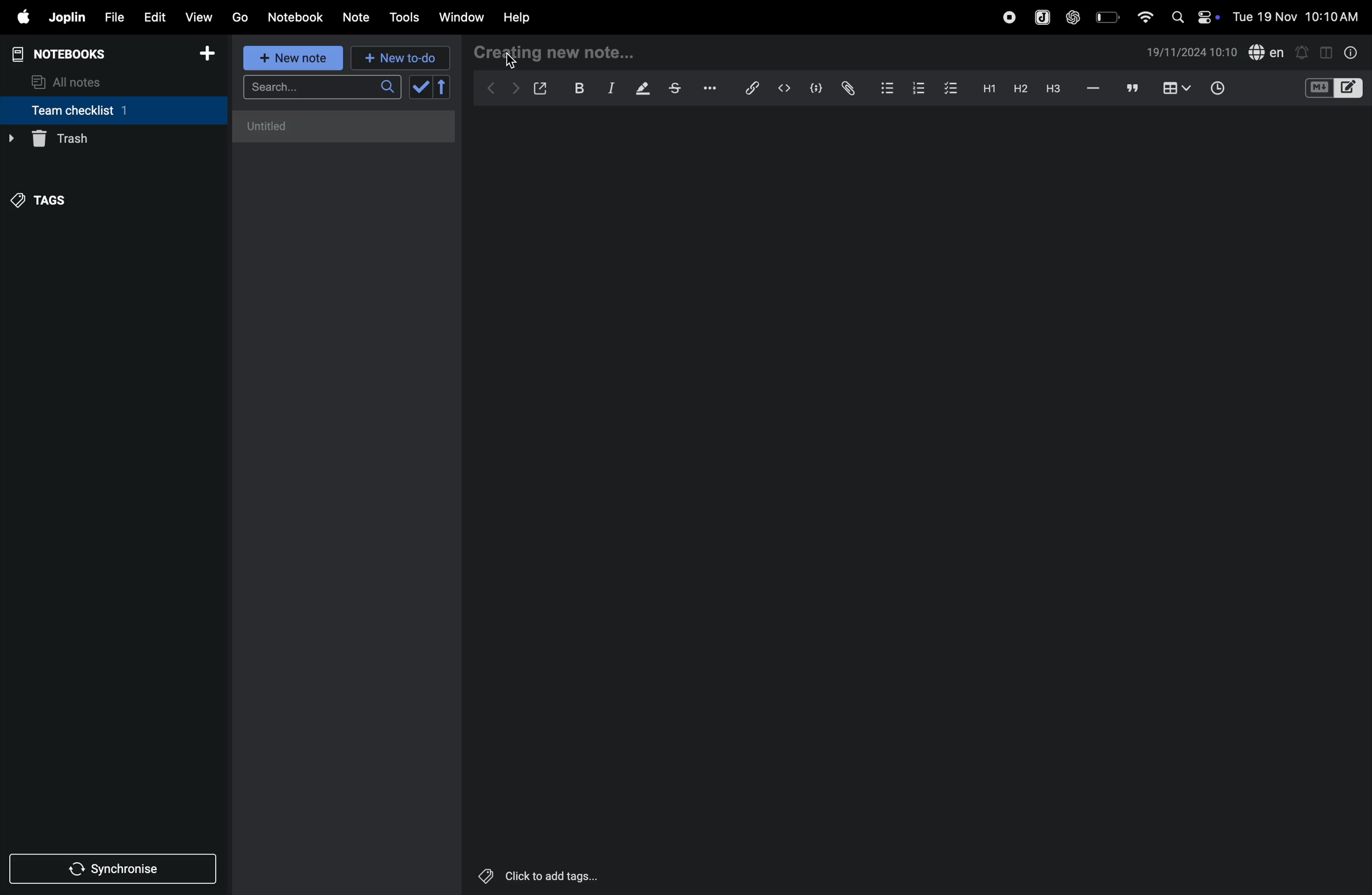 The height and width of the screenshot is (895, 1372). Describe the element at coordinates (609, 88) in the screenshot. I see `itallic` at that location.